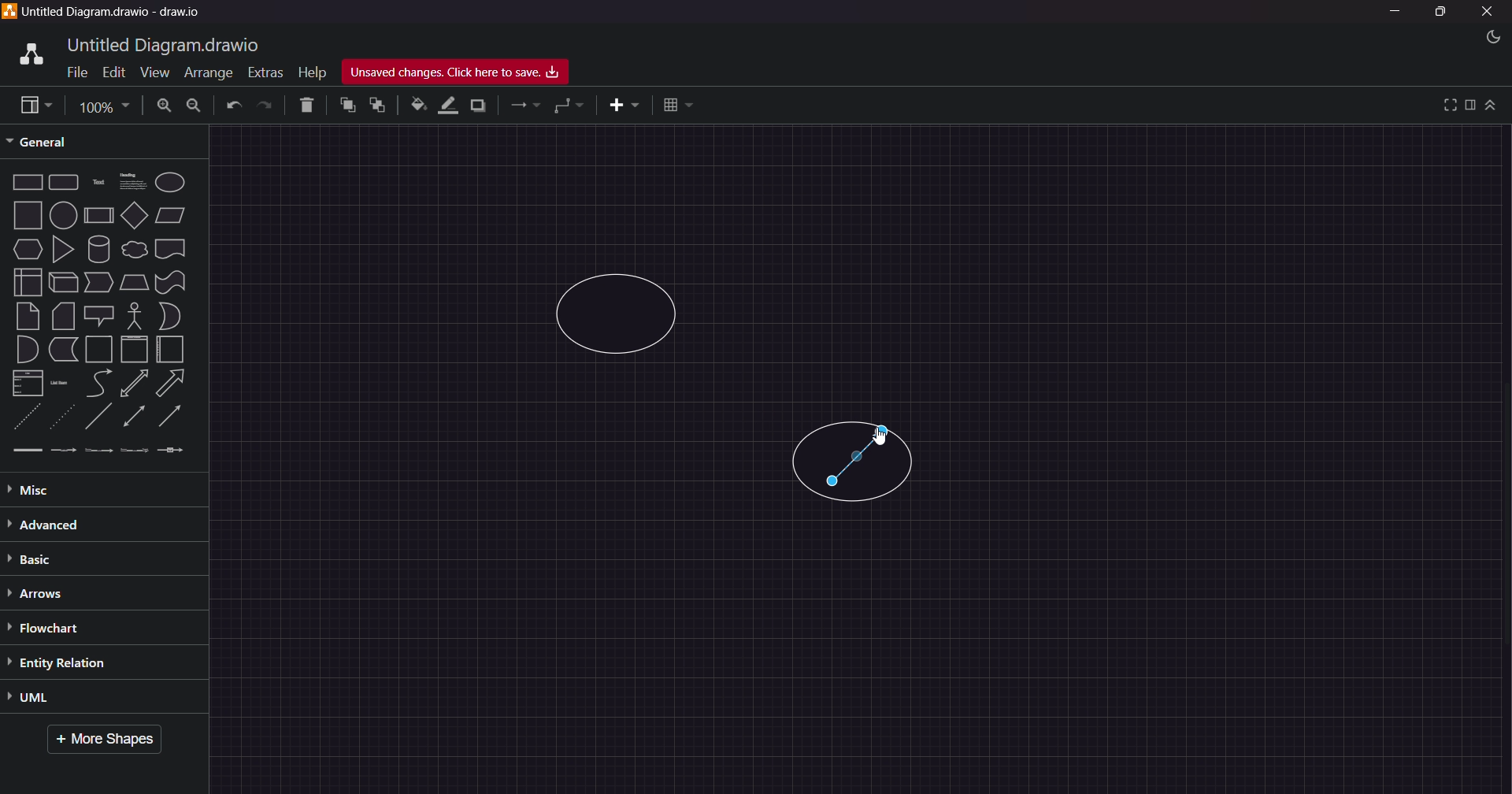 This screenshot has width=1512, height=794. Describe the element at coordinates (79, 524) in the screenshot. I see `Advanced` at that location.